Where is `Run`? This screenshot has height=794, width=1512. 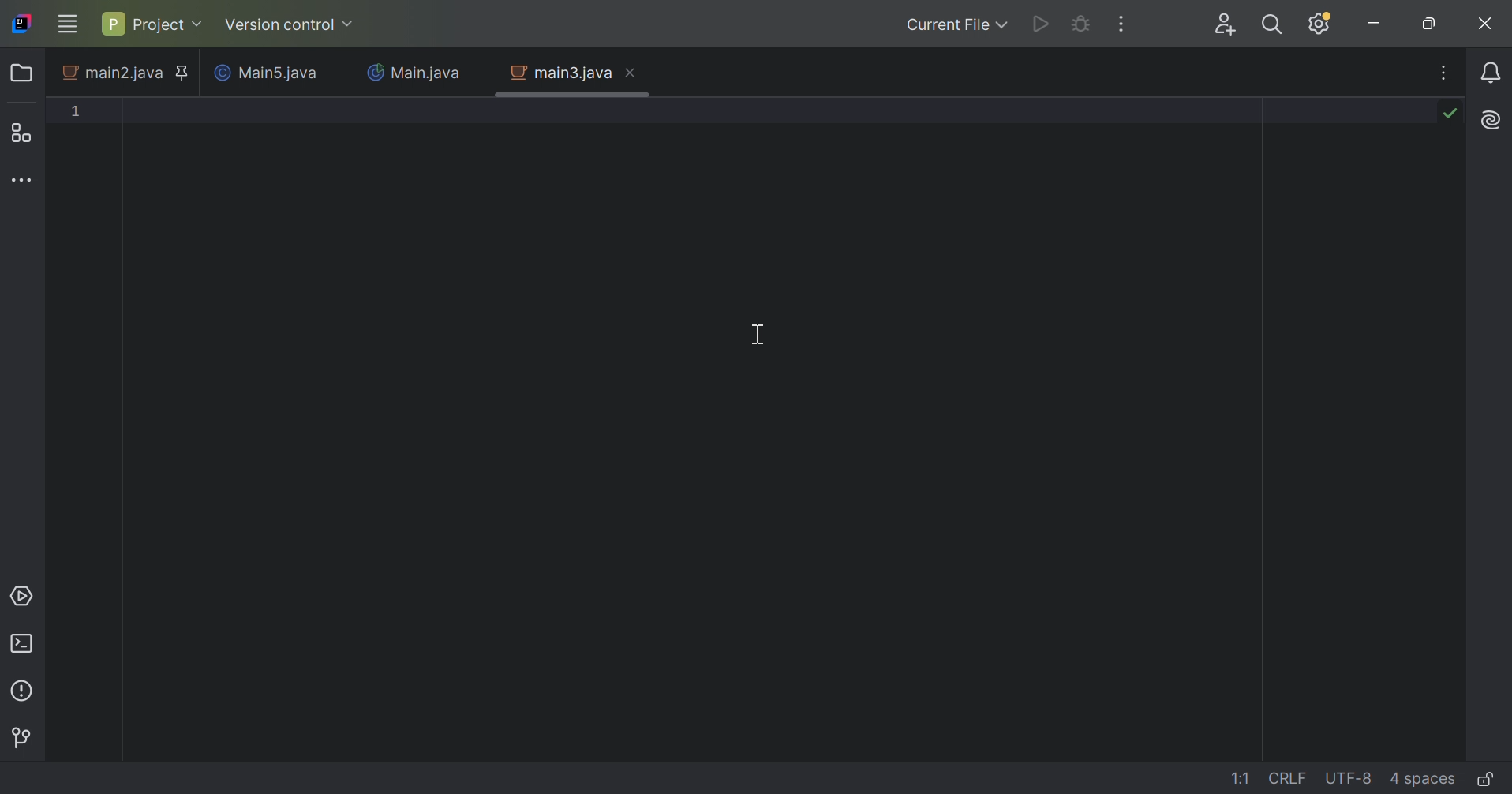 Run is located at coordinates (1041, 25).